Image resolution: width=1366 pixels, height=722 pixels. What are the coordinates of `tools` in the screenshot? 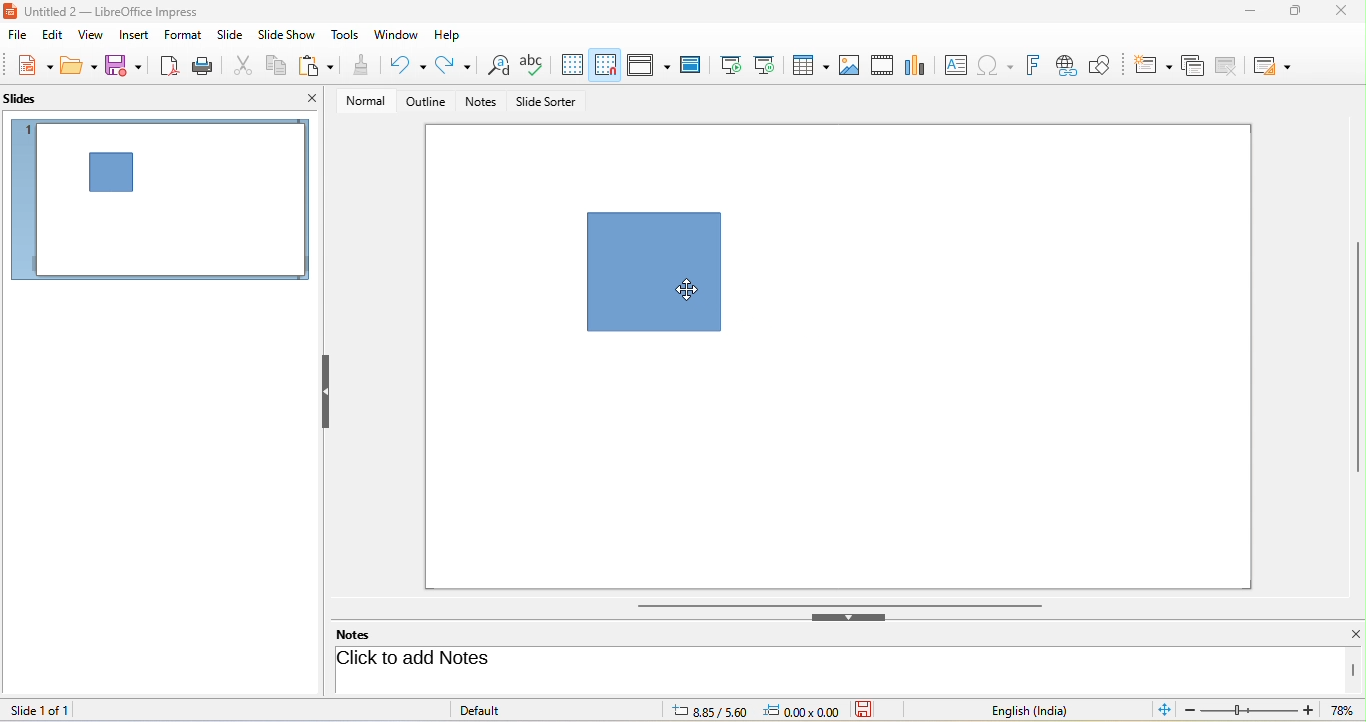 It's located at (346, 36).